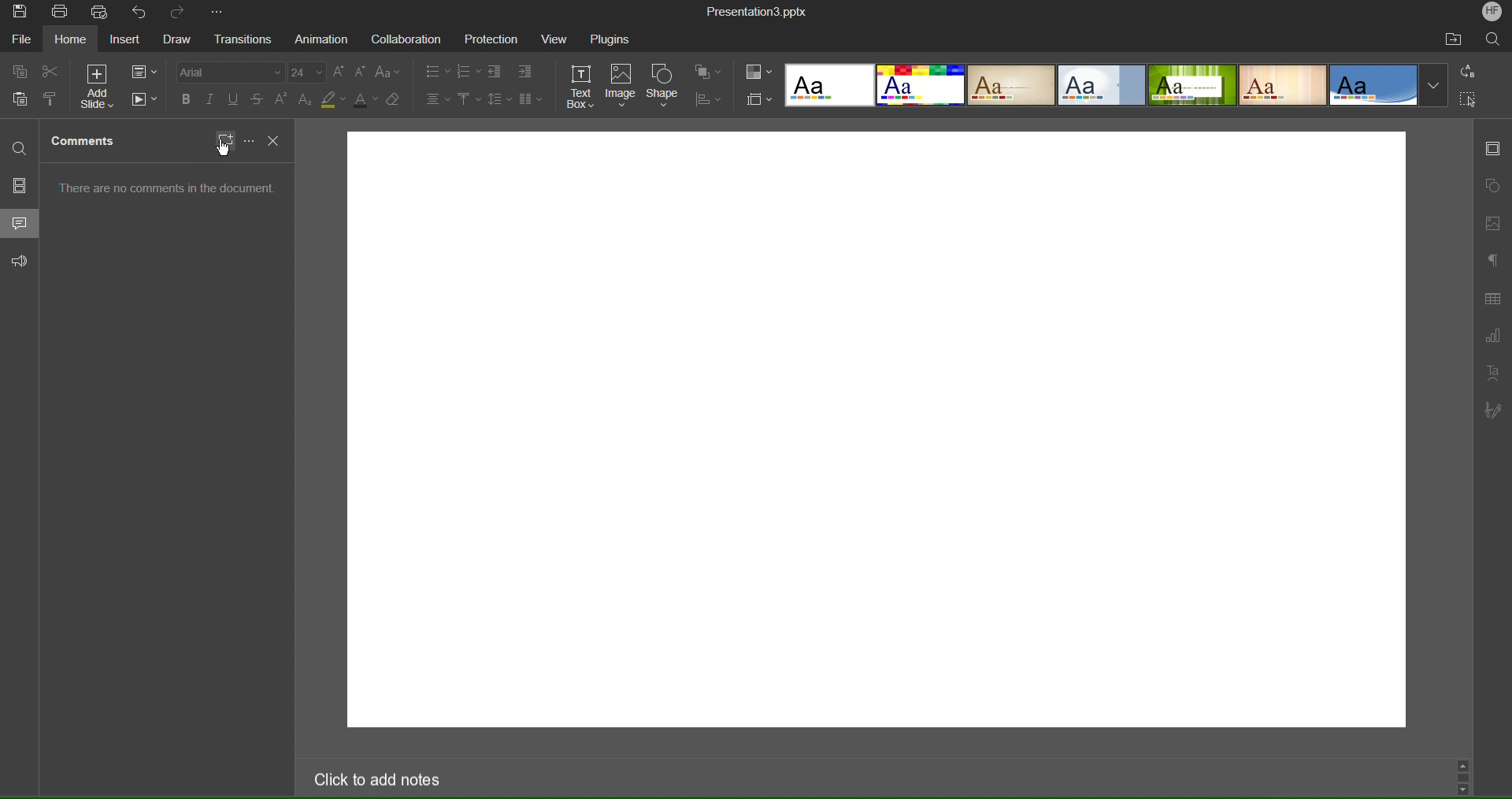 The width and height of the screenshot is (1512, 799). Describe the element at coordinates (387, 75) in the screenshot. I see `Text Case Settings` at that location.